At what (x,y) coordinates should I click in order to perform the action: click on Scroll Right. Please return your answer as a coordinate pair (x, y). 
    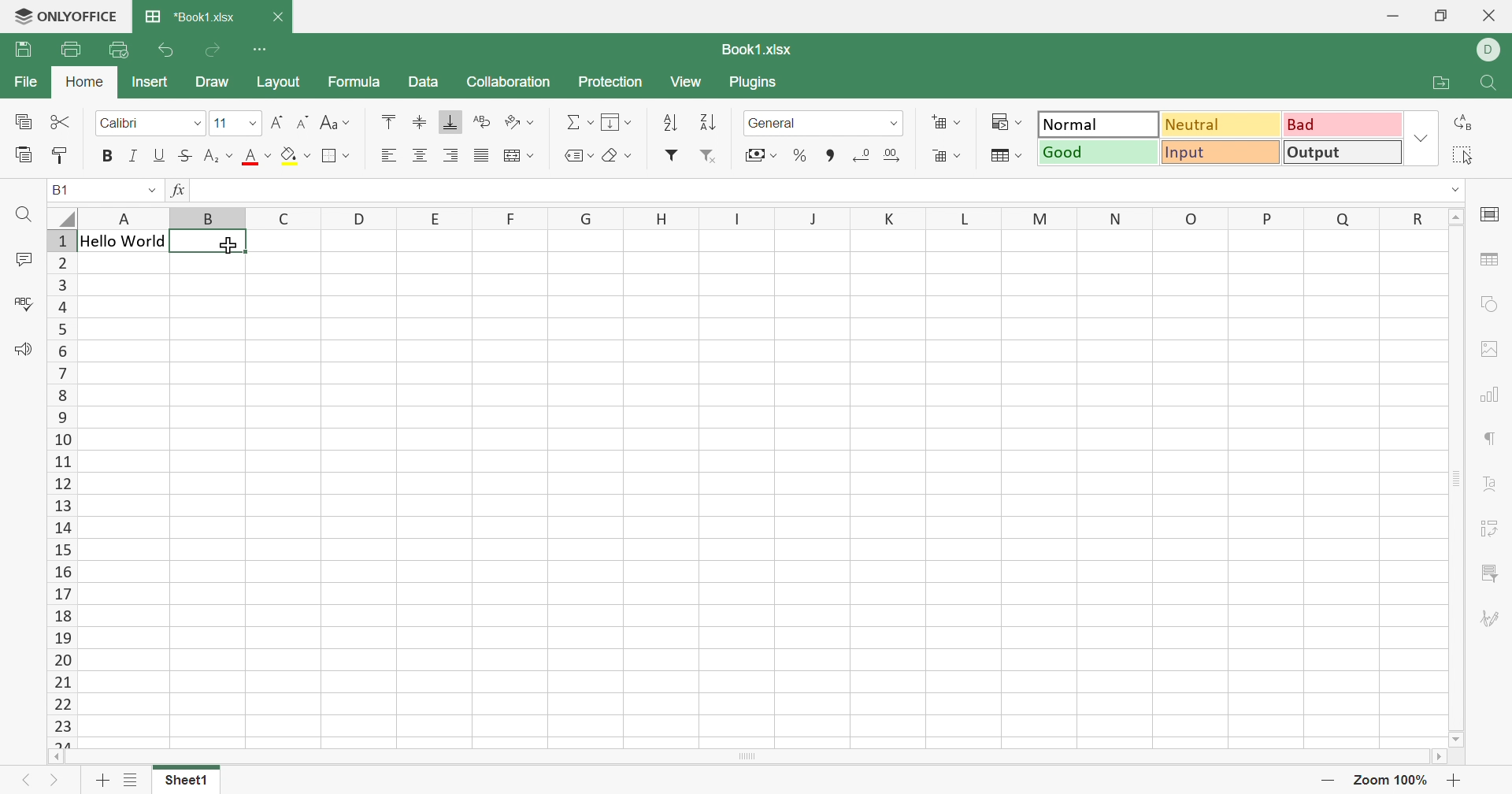
    Looking at the image, I should click on (1435, 759).